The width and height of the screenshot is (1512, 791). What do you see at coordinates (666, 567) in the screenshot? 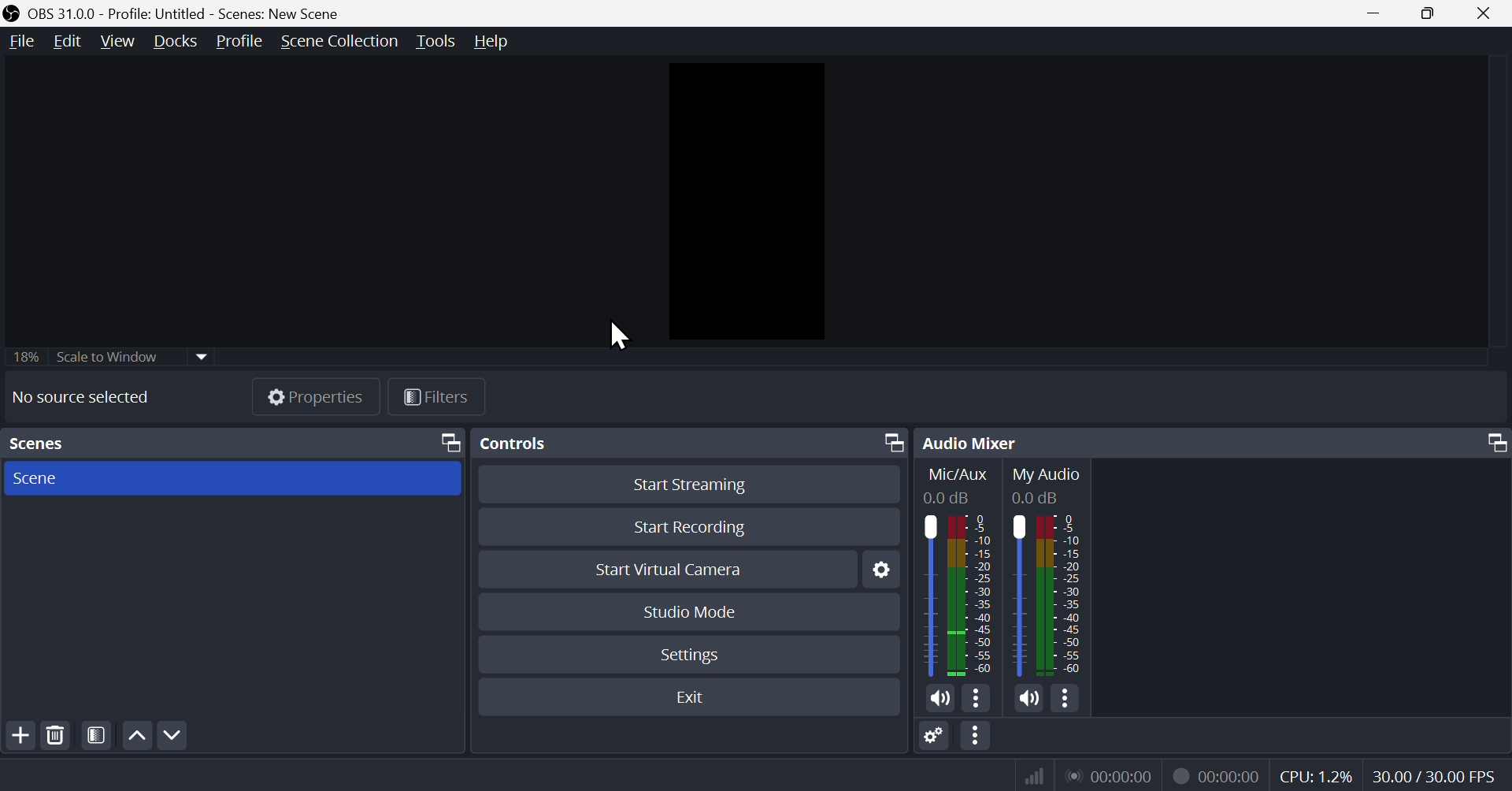
I see `Start Virtual Camera` at bounding box center [666, 567].